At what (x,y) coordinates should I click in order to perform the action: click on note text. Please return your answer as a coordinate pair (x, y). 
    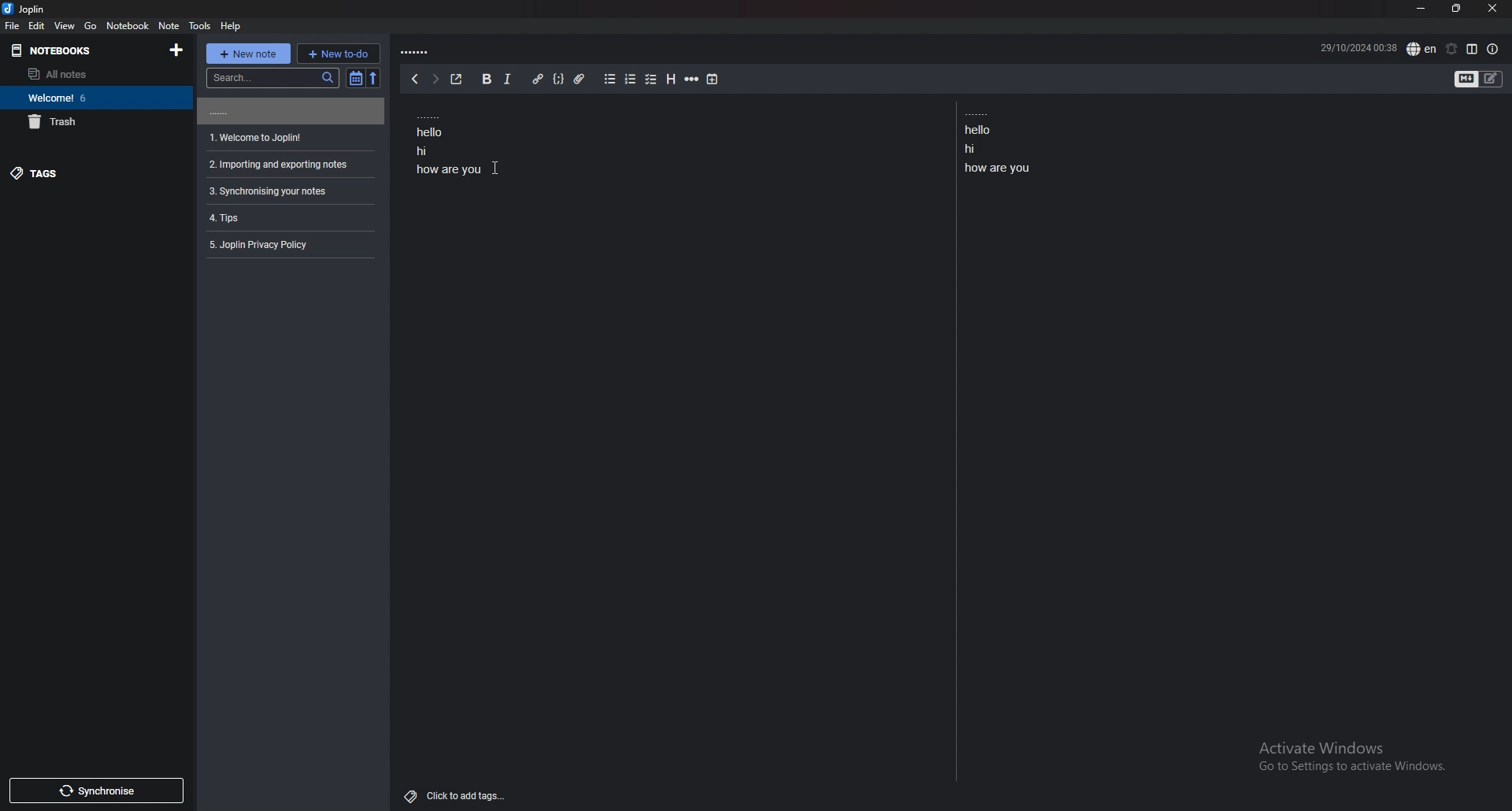
    Looking at the image, I should click on (451, 142).